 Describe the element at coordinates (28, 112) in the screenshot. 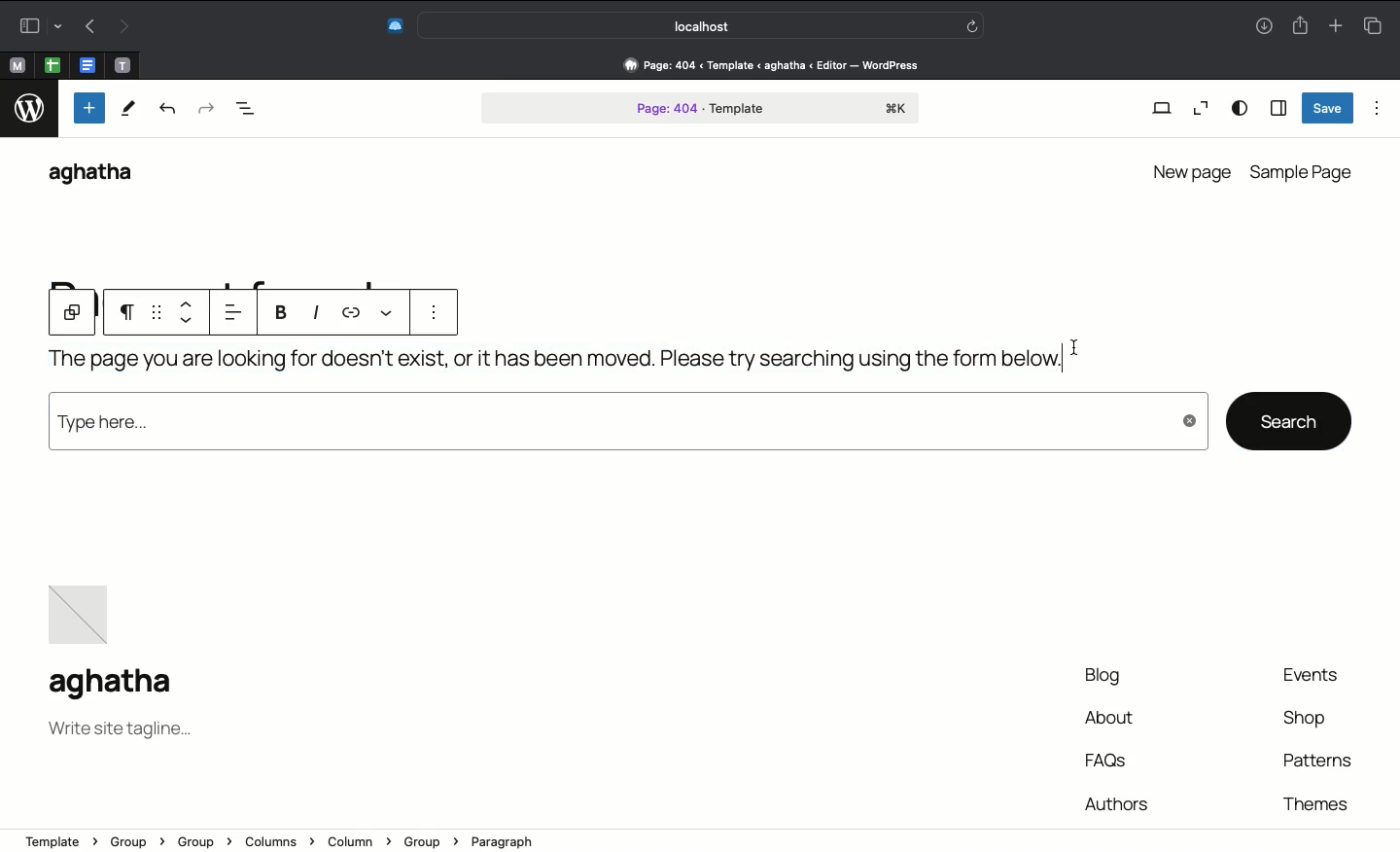

I see `logo` at that location.